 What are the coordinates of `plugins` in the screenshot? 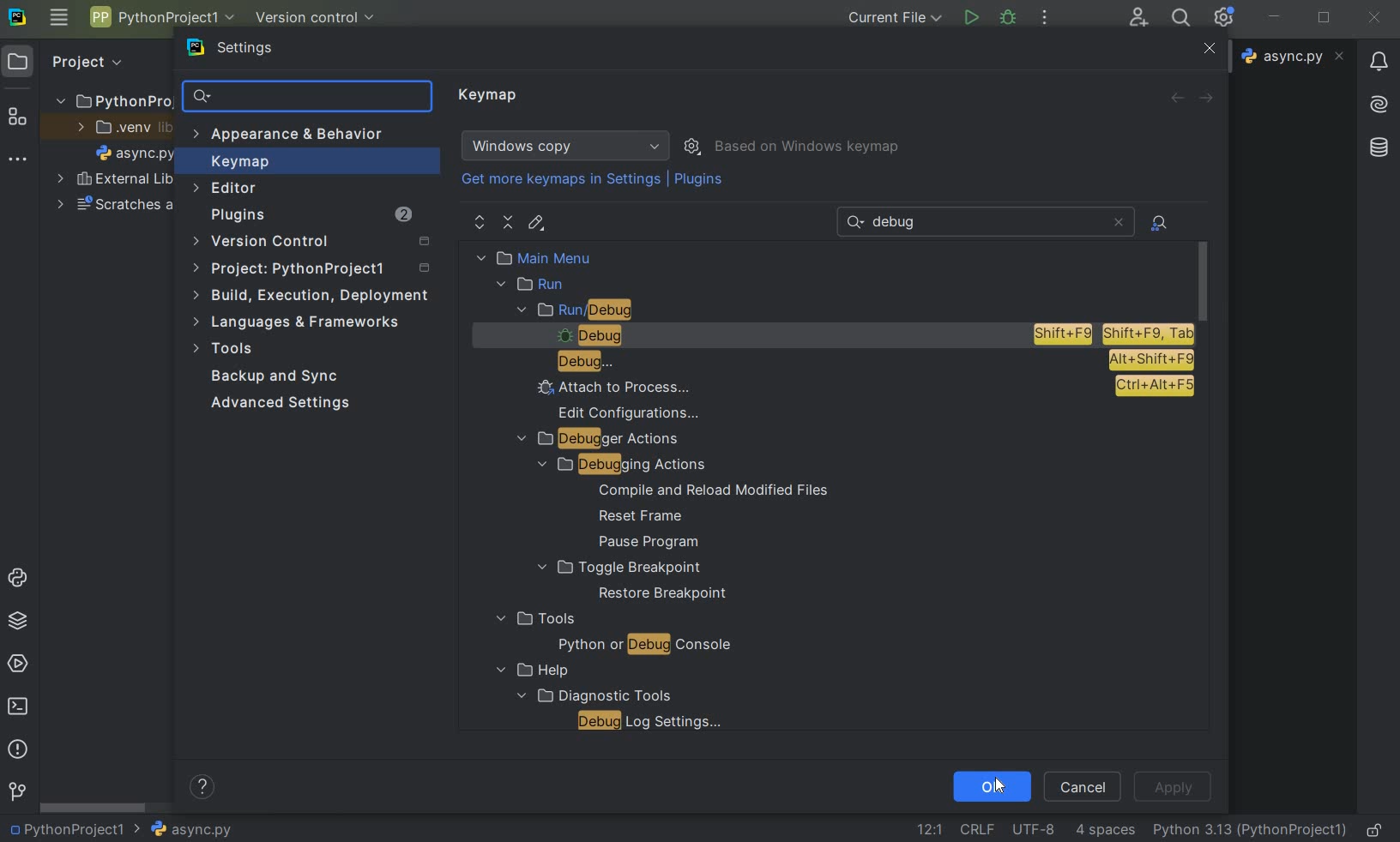 It's located at (701, 183).